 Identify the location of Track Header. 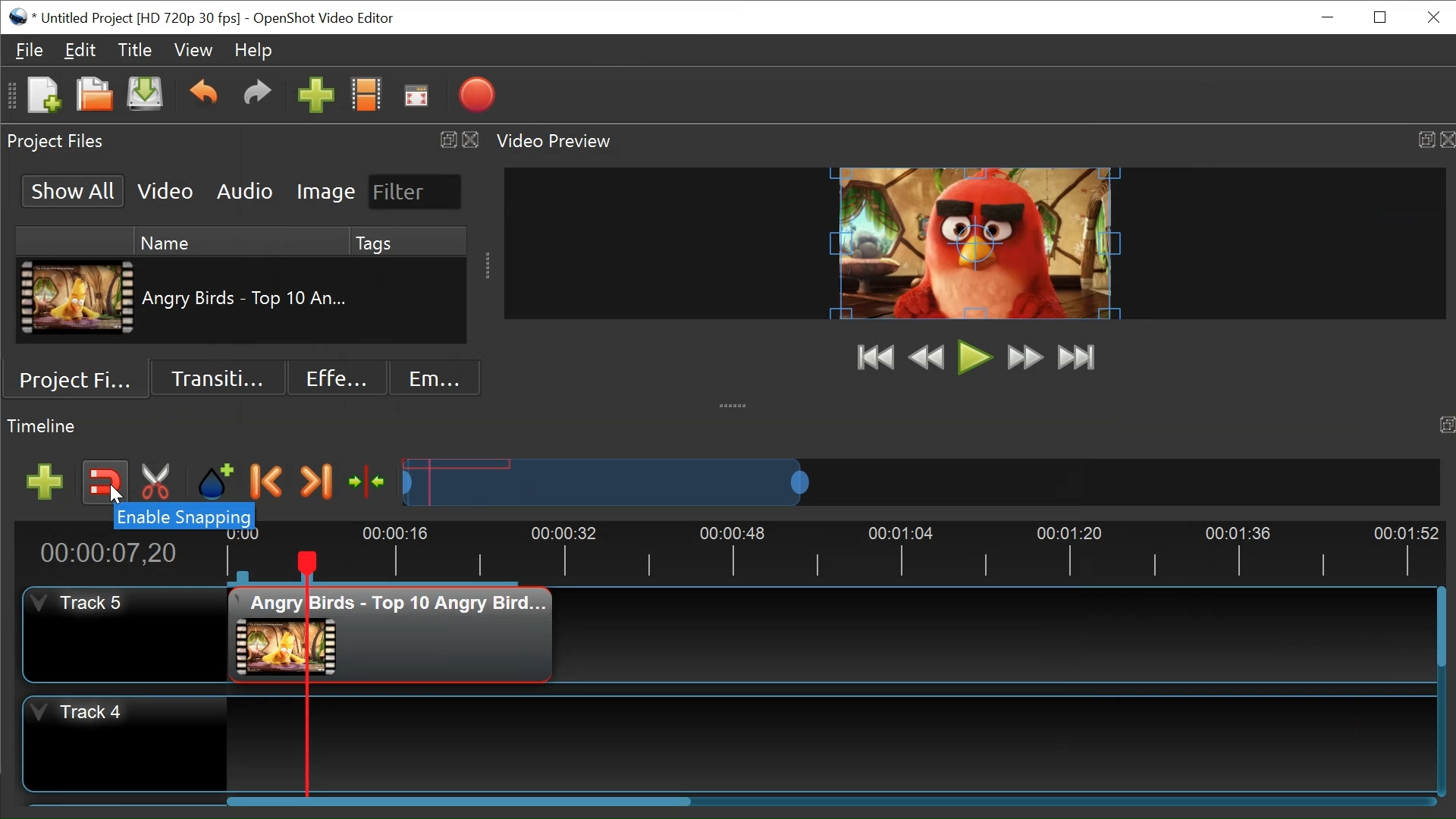
(125, 742).